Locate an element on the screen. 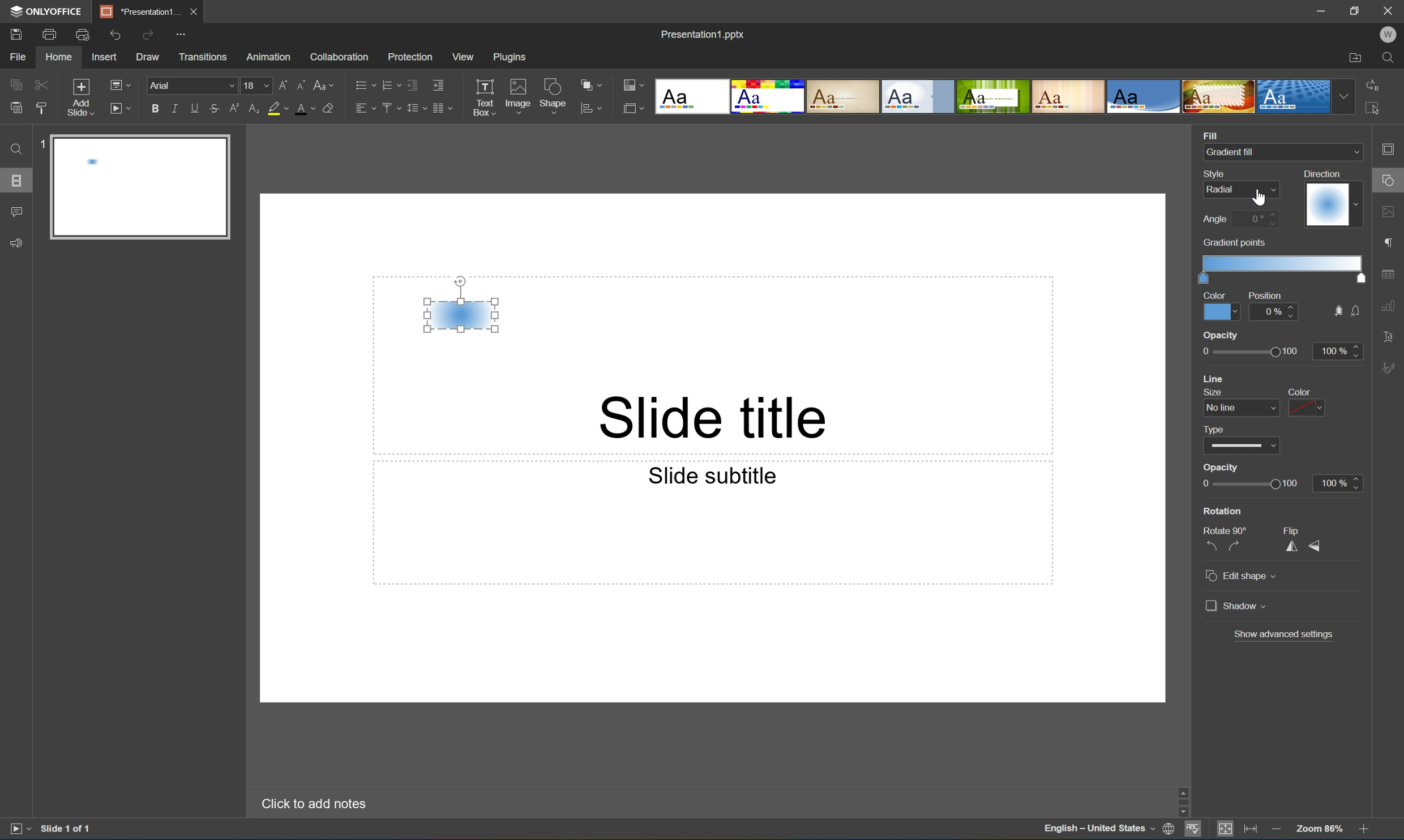 This screenshot has height=840, width=1404. Protection is located at coordinates (409, 56).